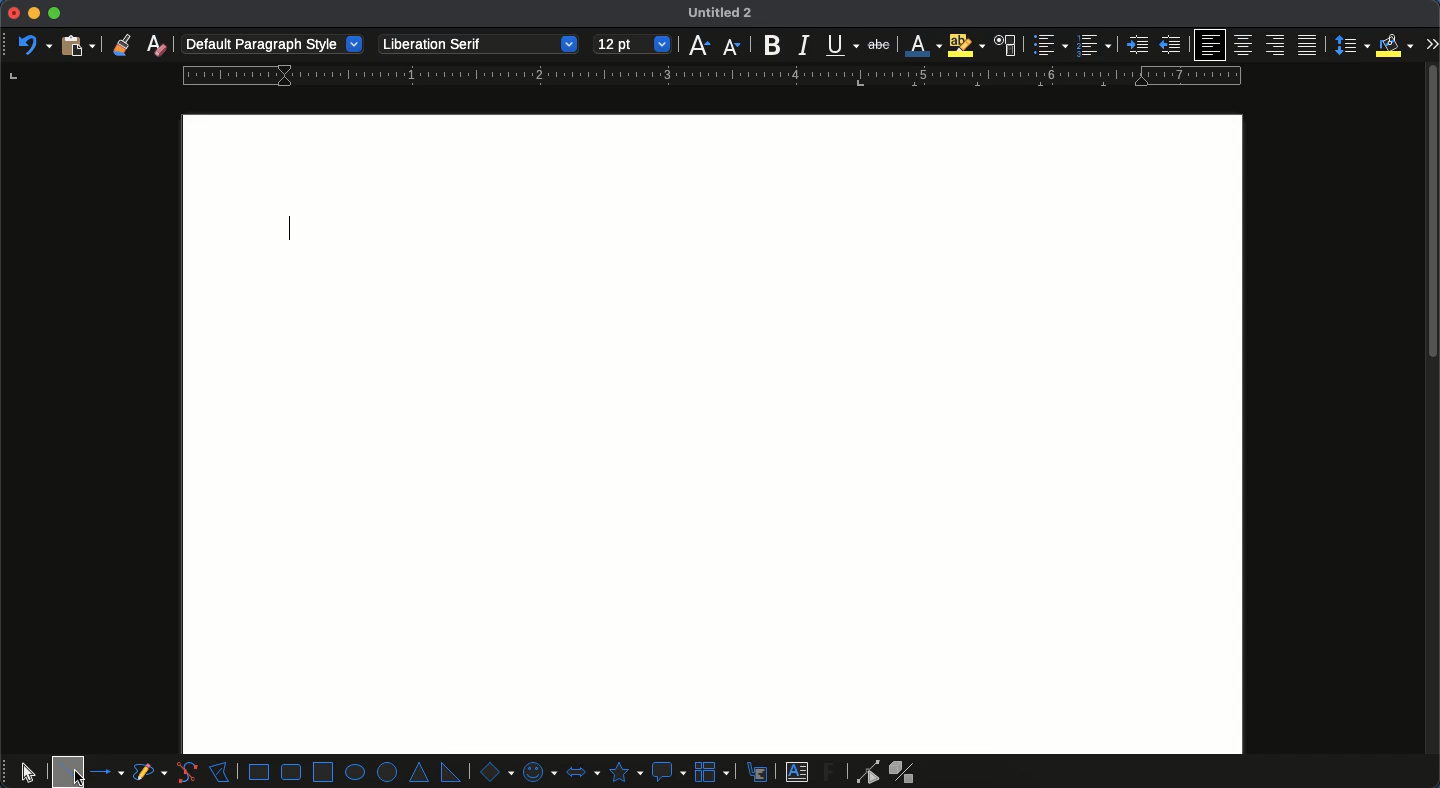  Describe the element at coordinates (797, 772) in the screenshot. I see `text box` at that location.